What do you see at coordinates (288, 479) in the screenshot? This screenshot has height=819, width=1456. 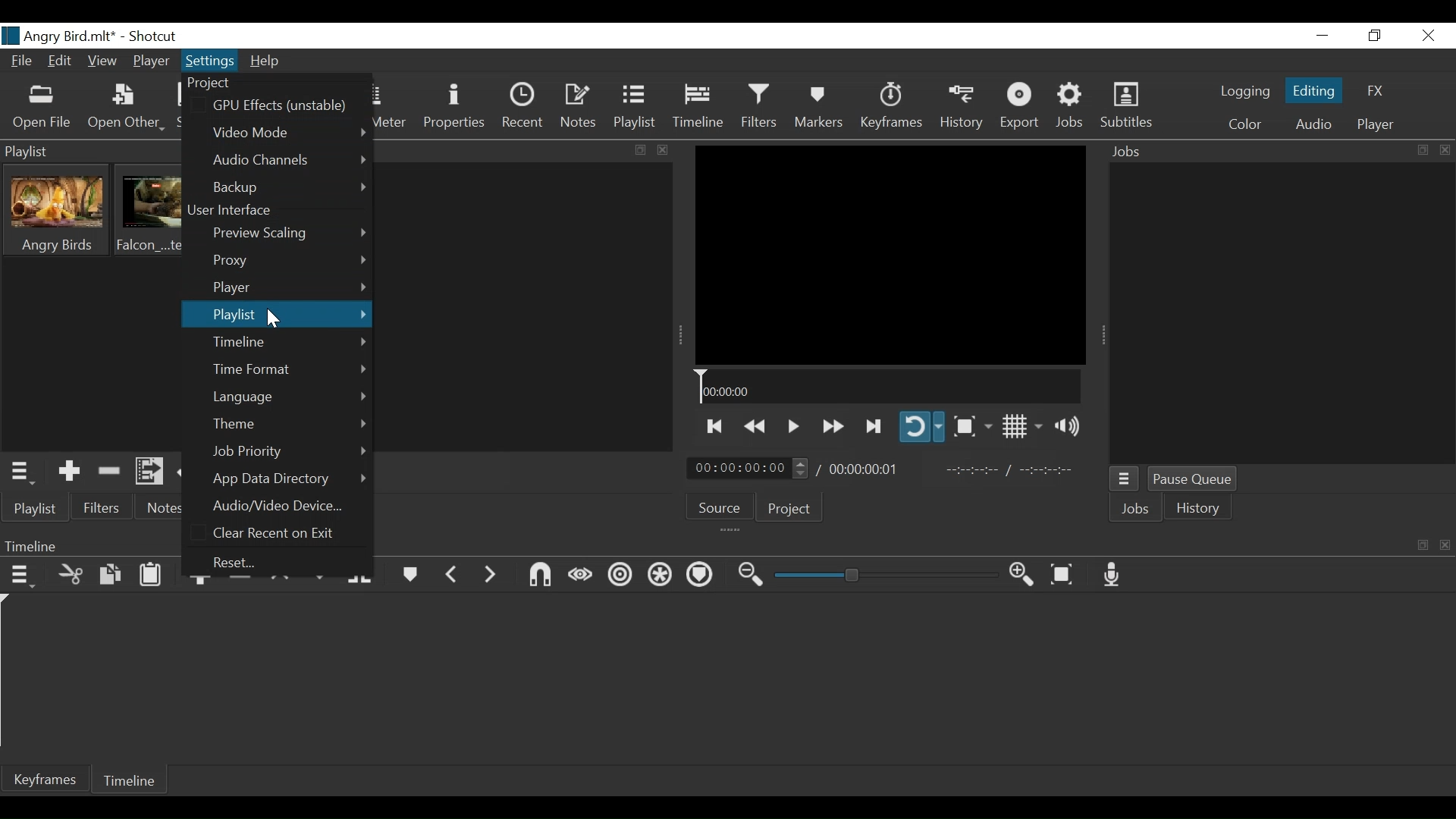 I see `App Data Directory` at bounding box center [288, 479].